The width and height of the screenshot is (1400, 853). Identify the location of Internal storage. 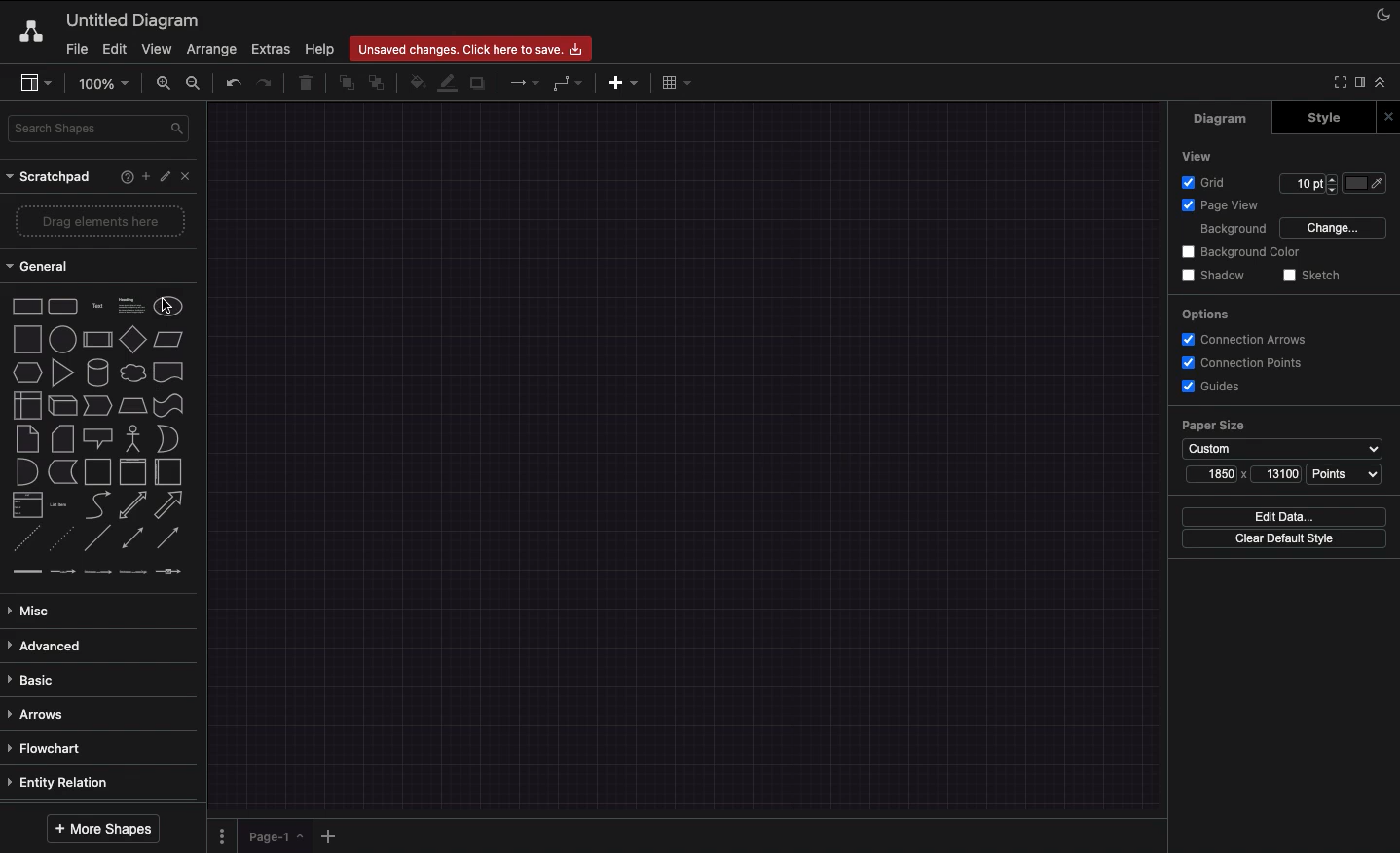
(26, 404).